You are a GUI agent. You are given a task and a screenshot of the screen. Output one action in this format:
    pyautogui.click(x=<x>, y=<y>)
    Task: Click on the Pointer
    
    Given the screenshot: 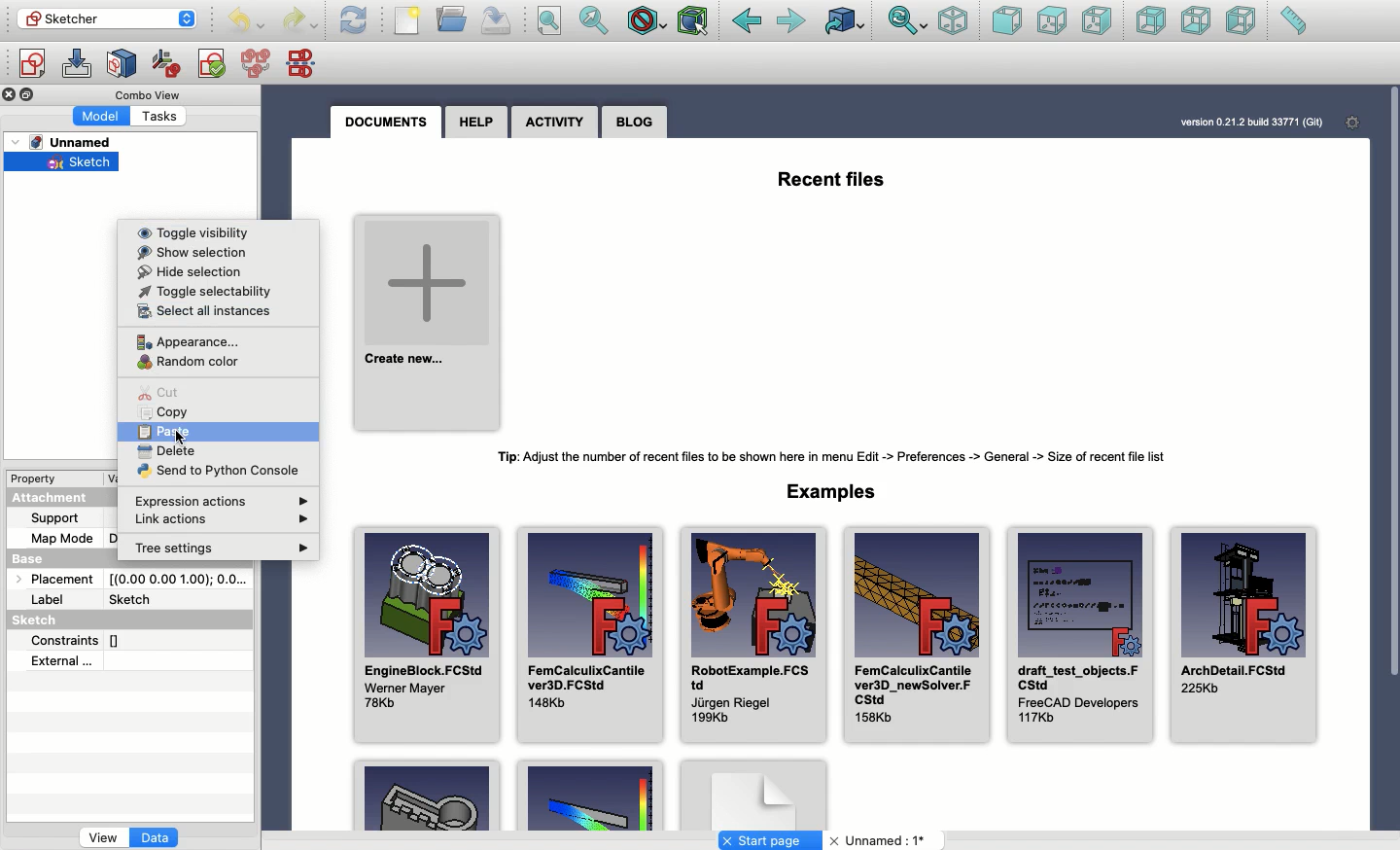 What is the action you would take?
    pyautogui.click(x=183, y=441)
    